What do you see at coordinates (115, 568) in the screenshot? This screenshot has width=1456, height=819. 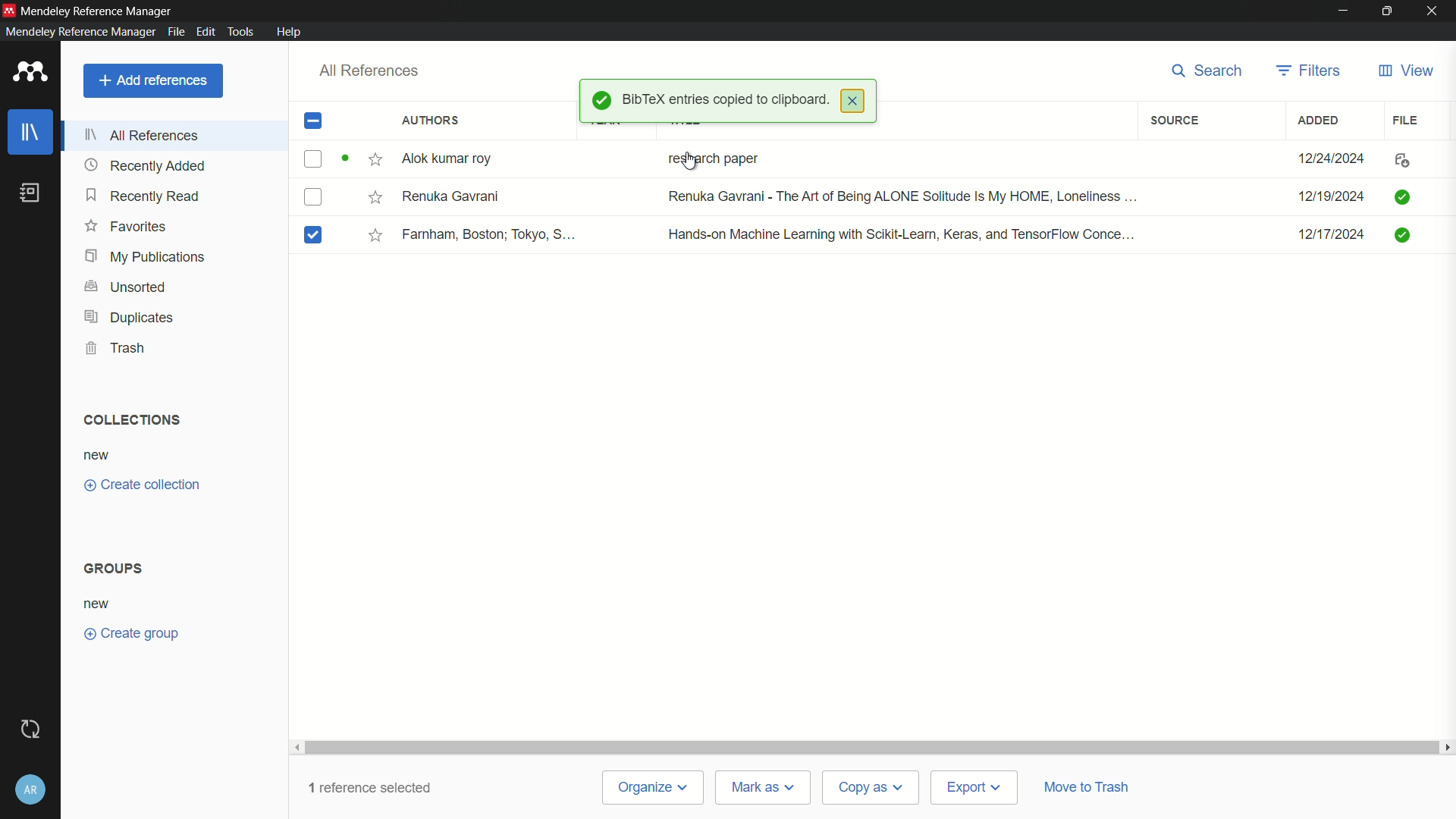 I see `groups` at bounding box center [115, 568].